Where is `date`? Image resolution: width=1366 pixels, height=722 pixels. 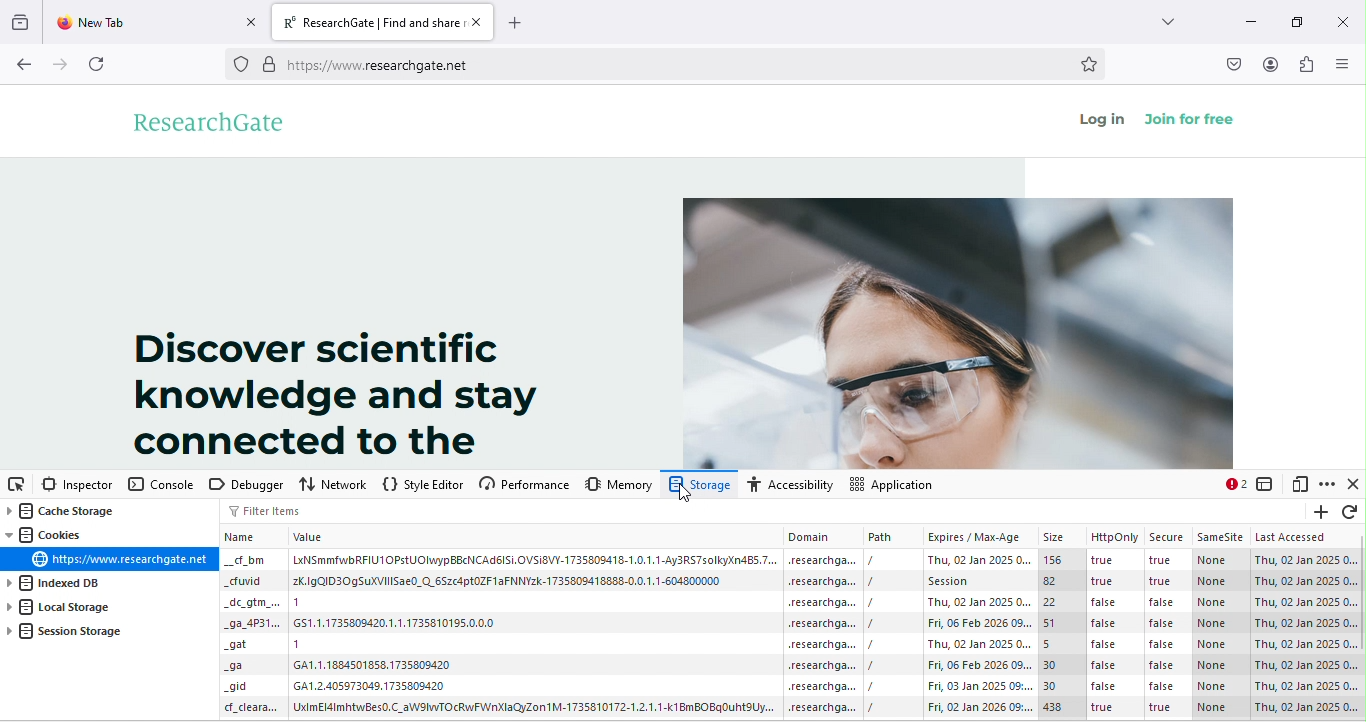
date is located at coordinates (980, 687).